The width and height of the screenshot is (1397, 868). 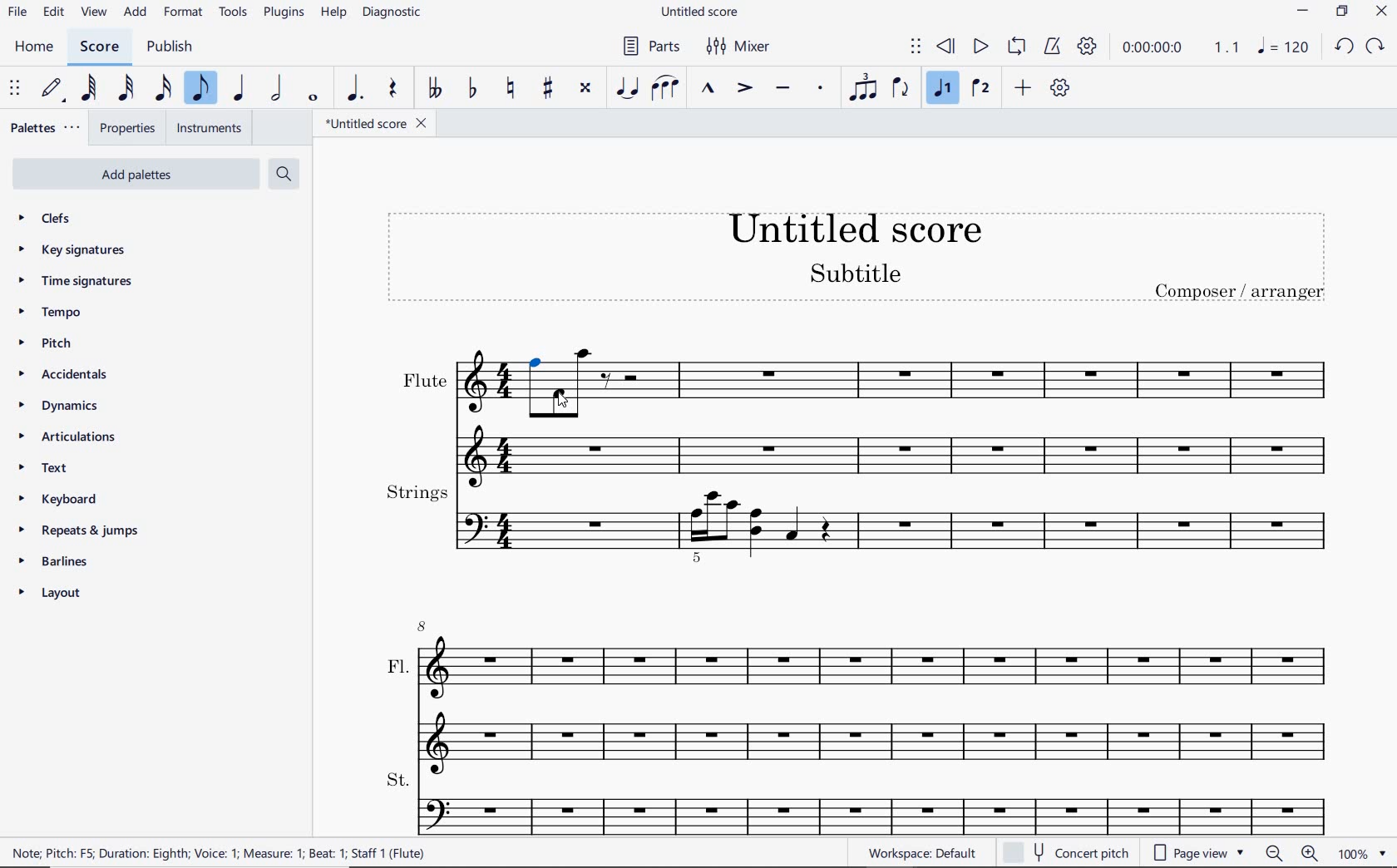 What do you see at coordinates (163, 89) in the screenshot?
I see `16TH NOTE` at bounding box center [163, 89].